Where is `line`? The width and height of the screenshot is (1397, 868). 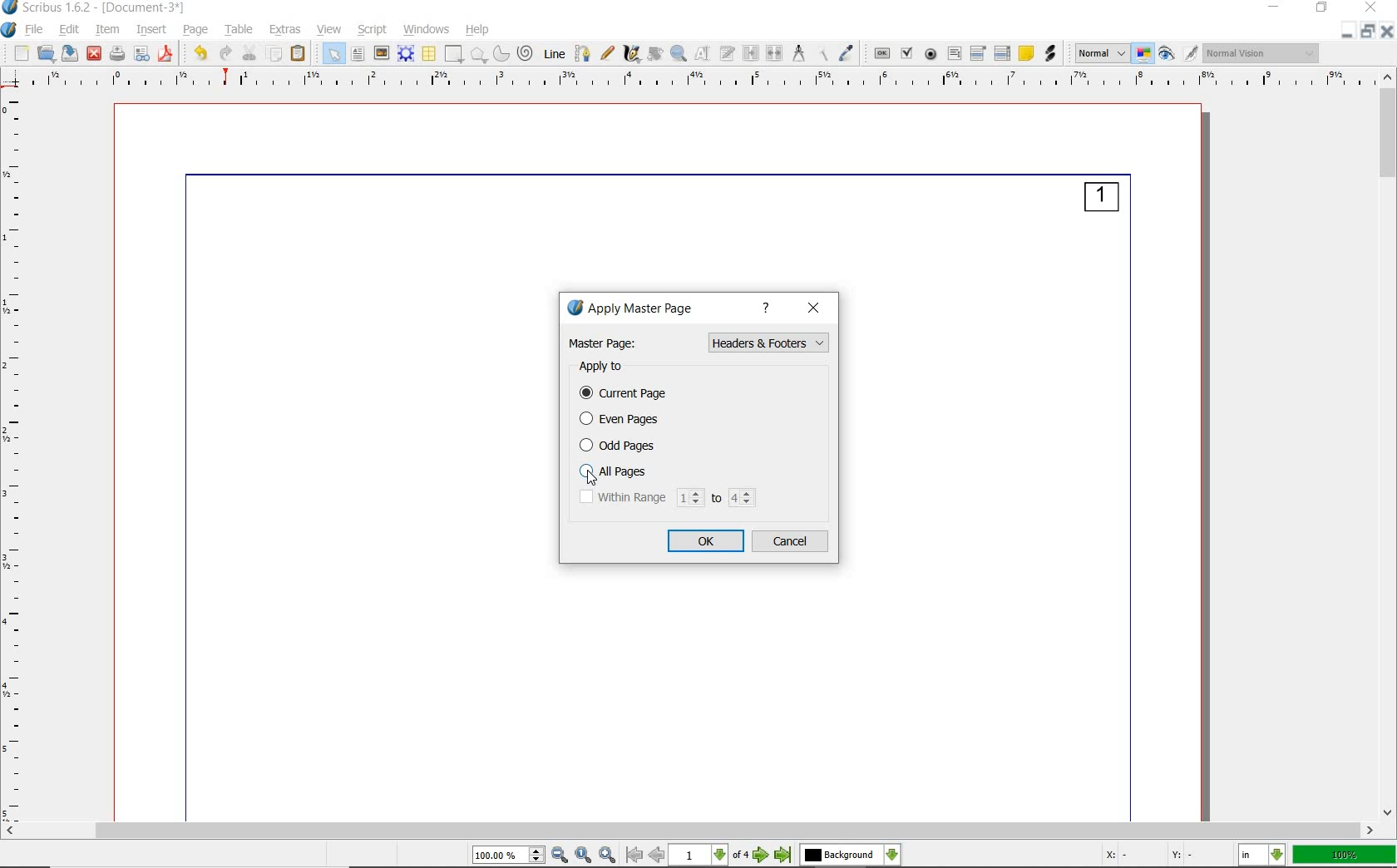
line is located at coordinates (554, 54).